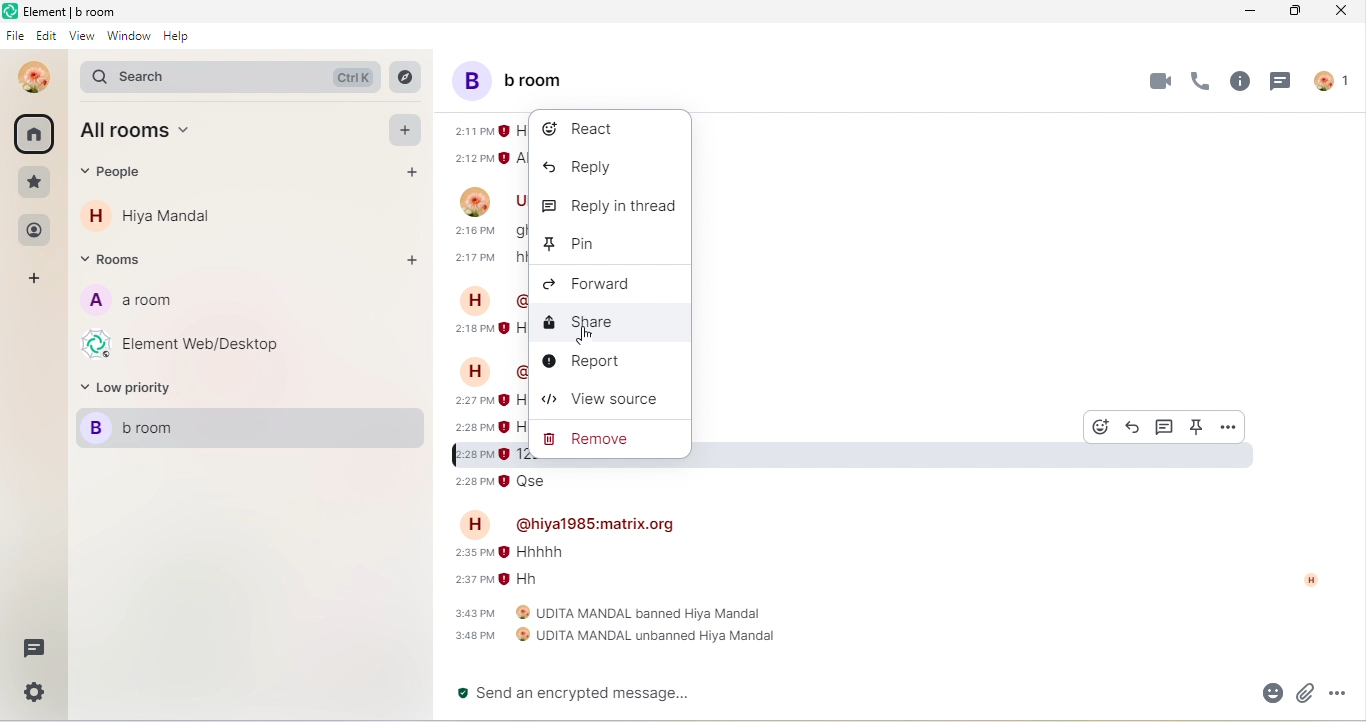 The height and width of the screenshot is (722, 1366). Describe the element at coordinates (37, 280) in the screenshot. I see `add` at that location.